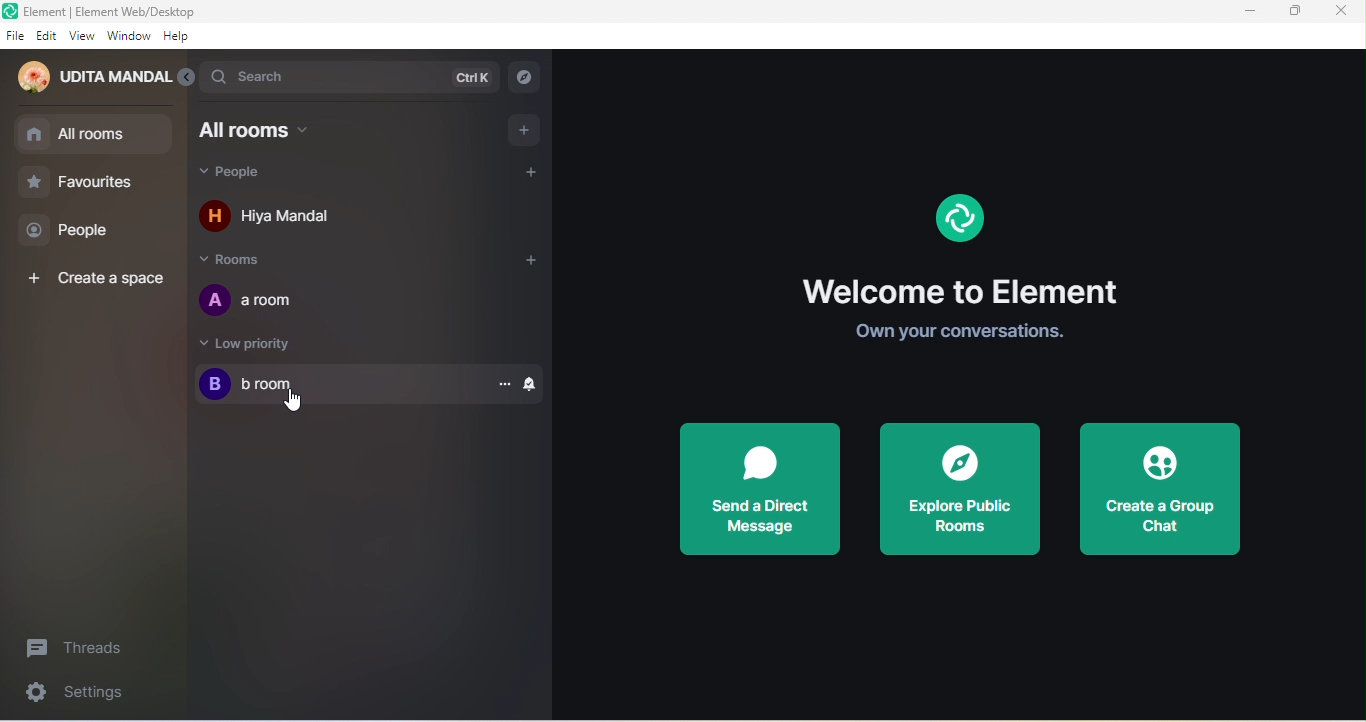  What do you see at coordinates (186, 77) in the screenshot?
I see `expand` at bounding box center [186, 77].